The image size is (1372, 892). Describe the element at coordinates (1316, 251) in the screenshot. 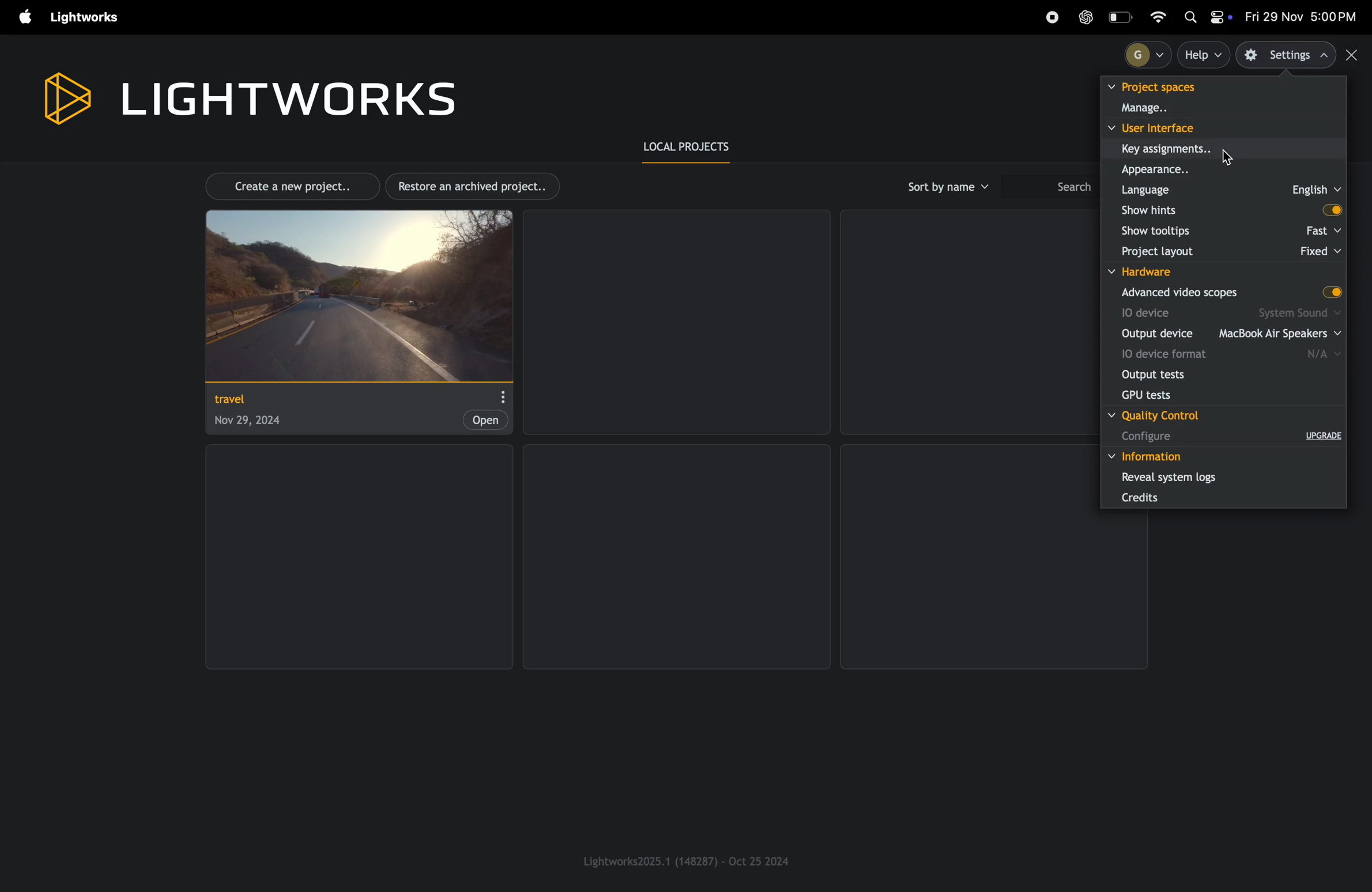

I see `fixed` at that location.